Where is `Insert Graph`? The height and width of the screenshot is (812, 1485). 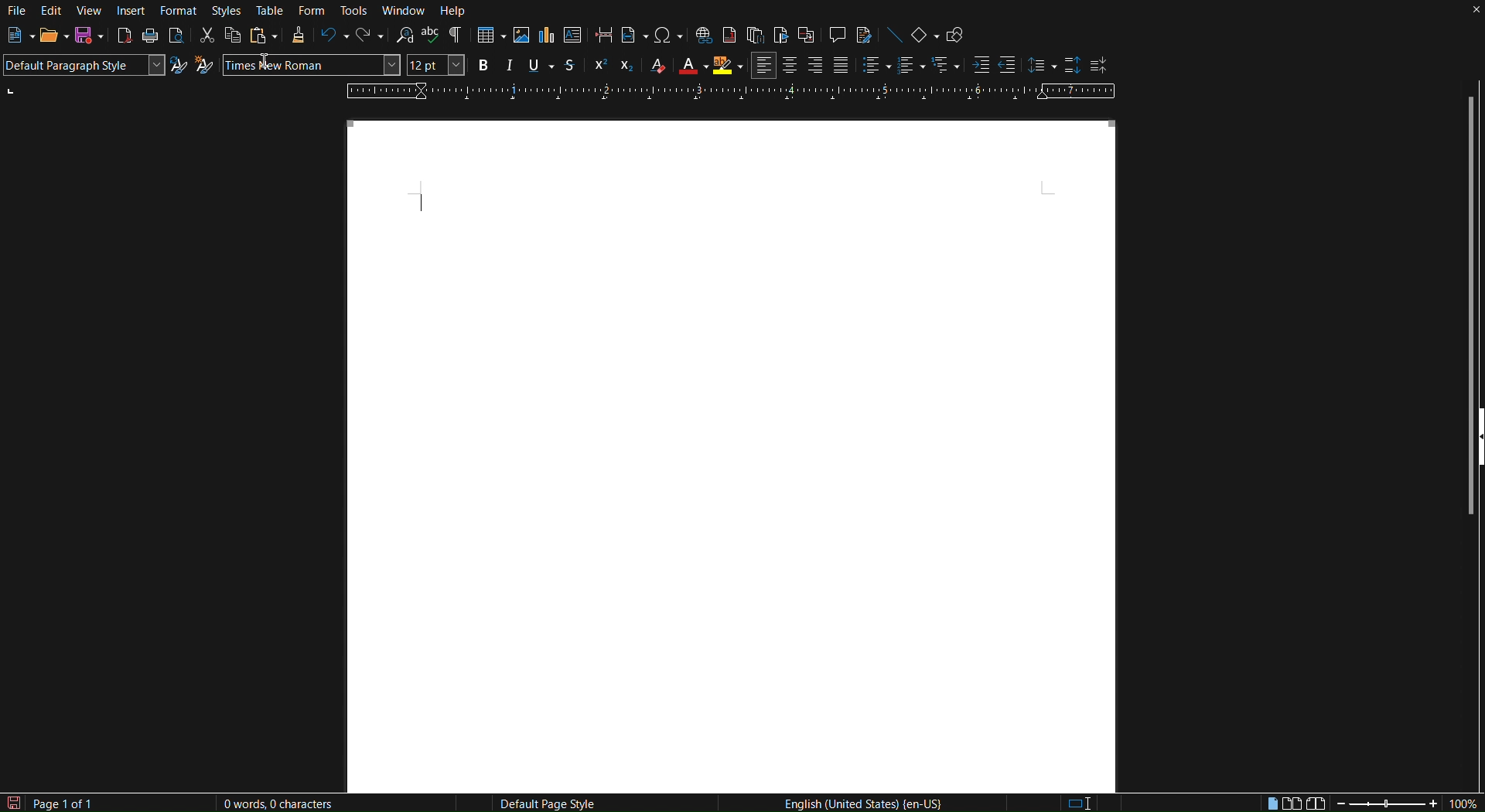 Insert Graph is located at coordinates (547, 35).